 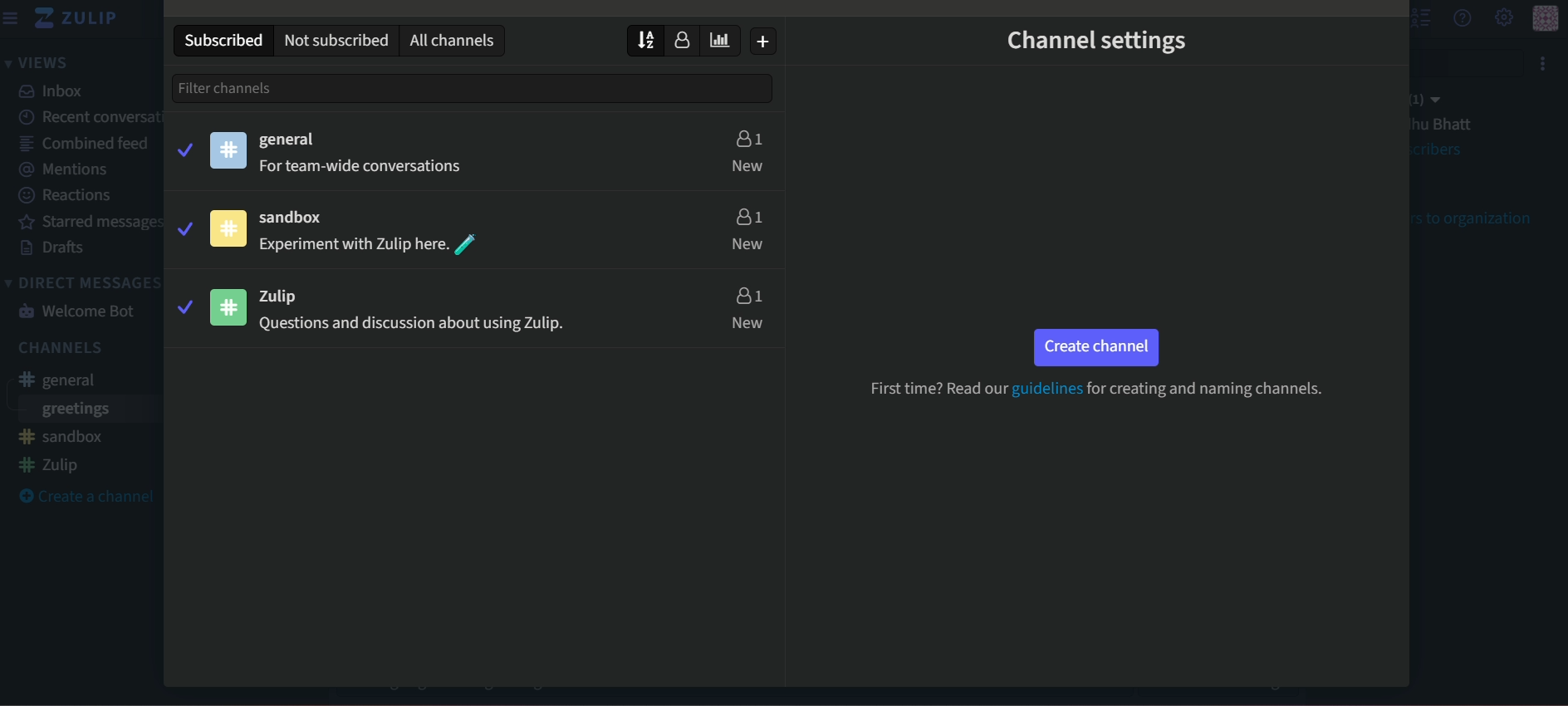 What do you see at coordinates (80, 310) in the screenshot?
I see `welcome bot` at bounding box center [80, 310].